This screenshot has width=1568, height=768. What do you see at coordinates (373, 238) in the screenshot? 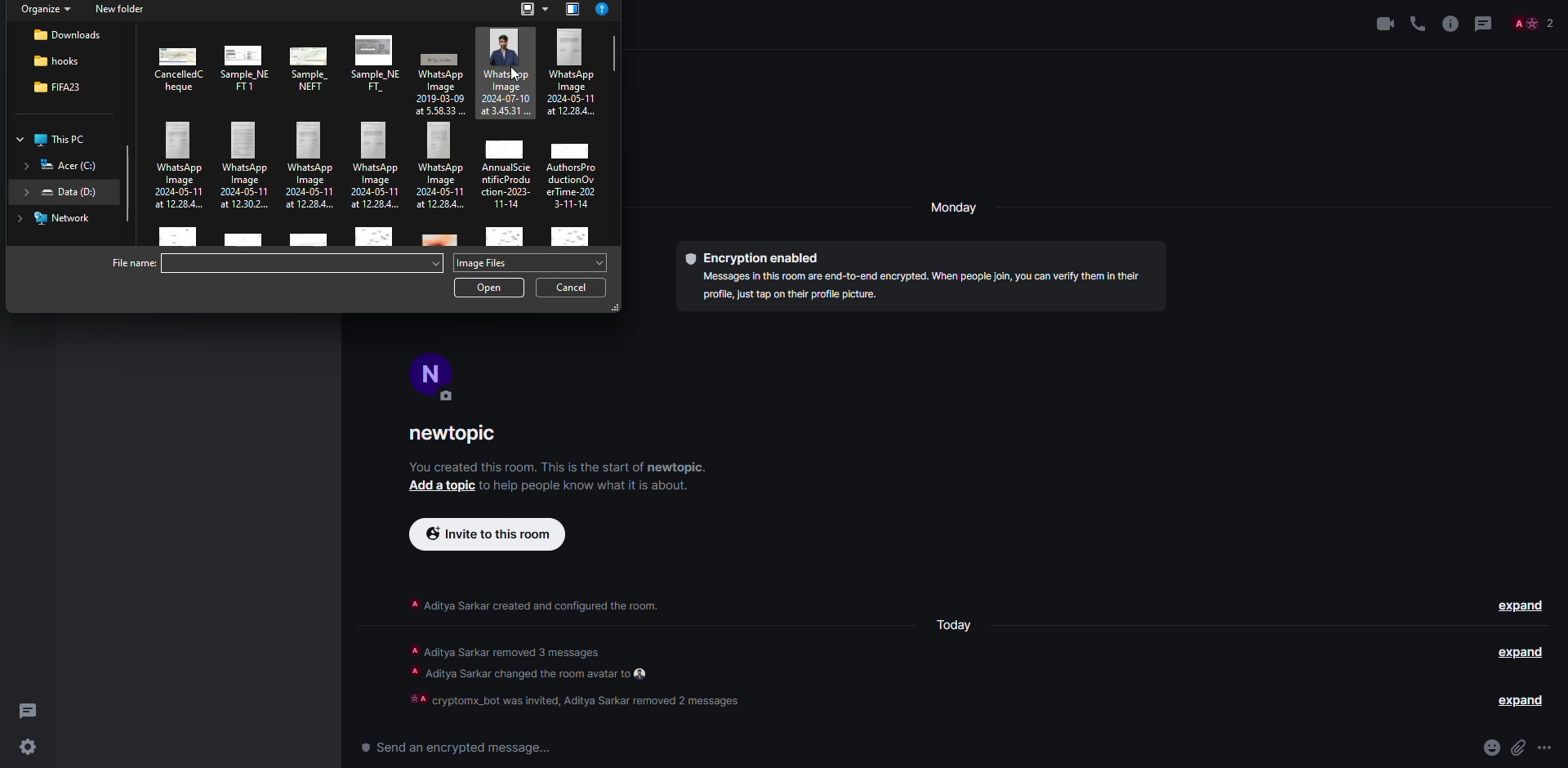
I see `click to select` at bounding box center [373, 238].